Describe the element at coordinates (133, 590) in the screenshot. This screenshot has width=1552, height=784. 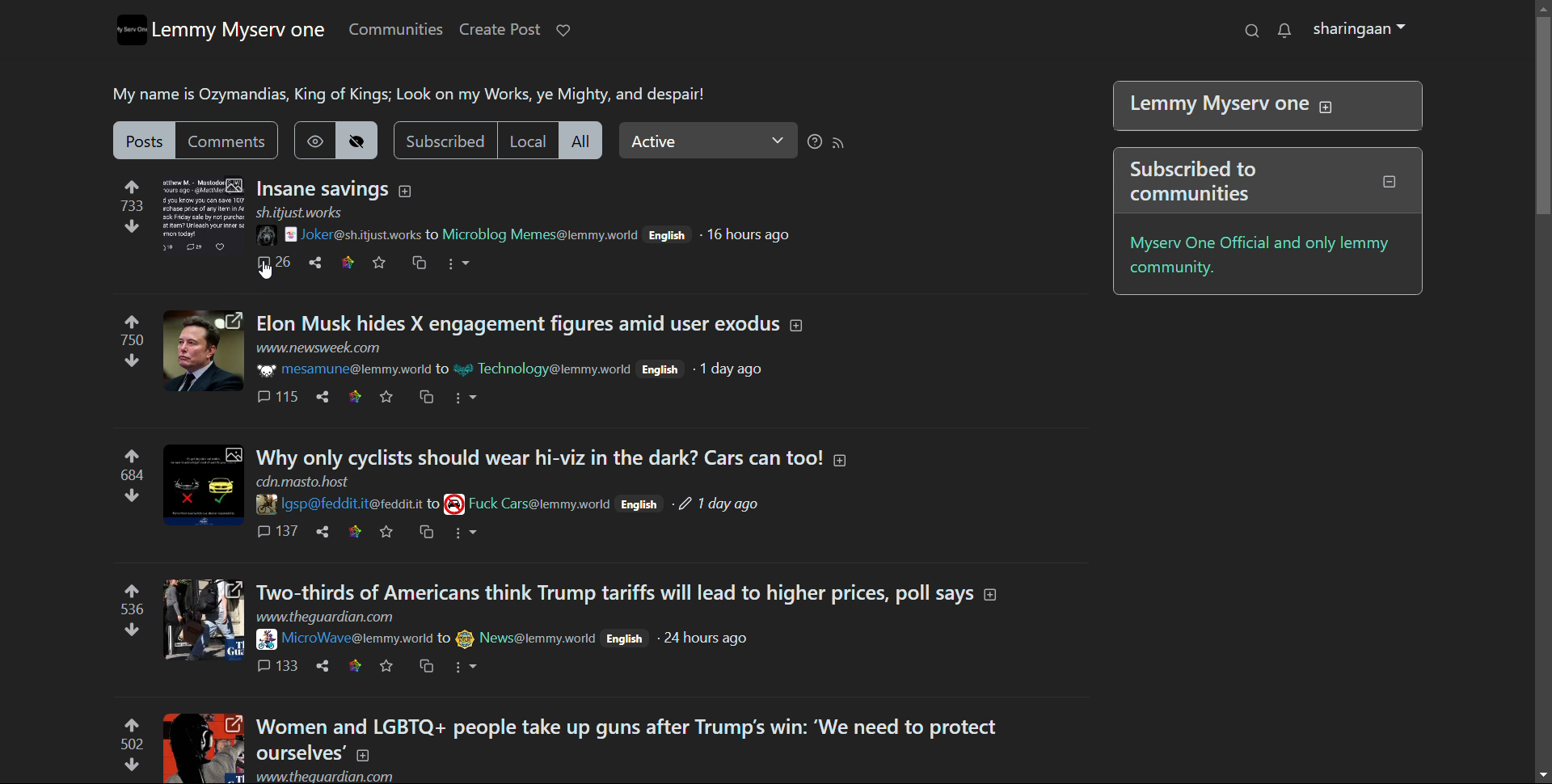
I see `upvotes` at that location.